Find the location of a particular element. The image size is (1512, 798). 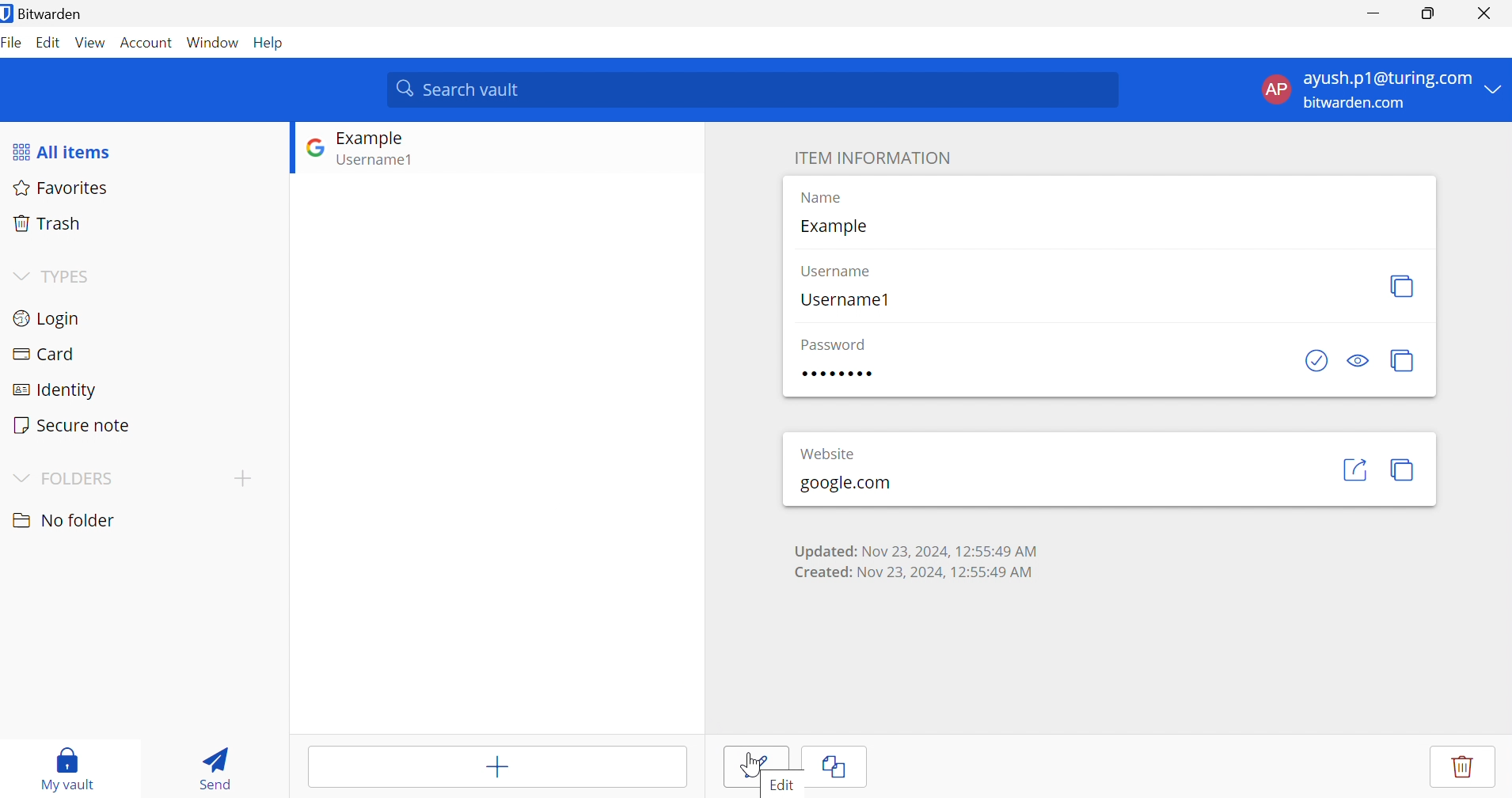

ACCOUNT OPTIONS is located at coordinates (1369, 90).